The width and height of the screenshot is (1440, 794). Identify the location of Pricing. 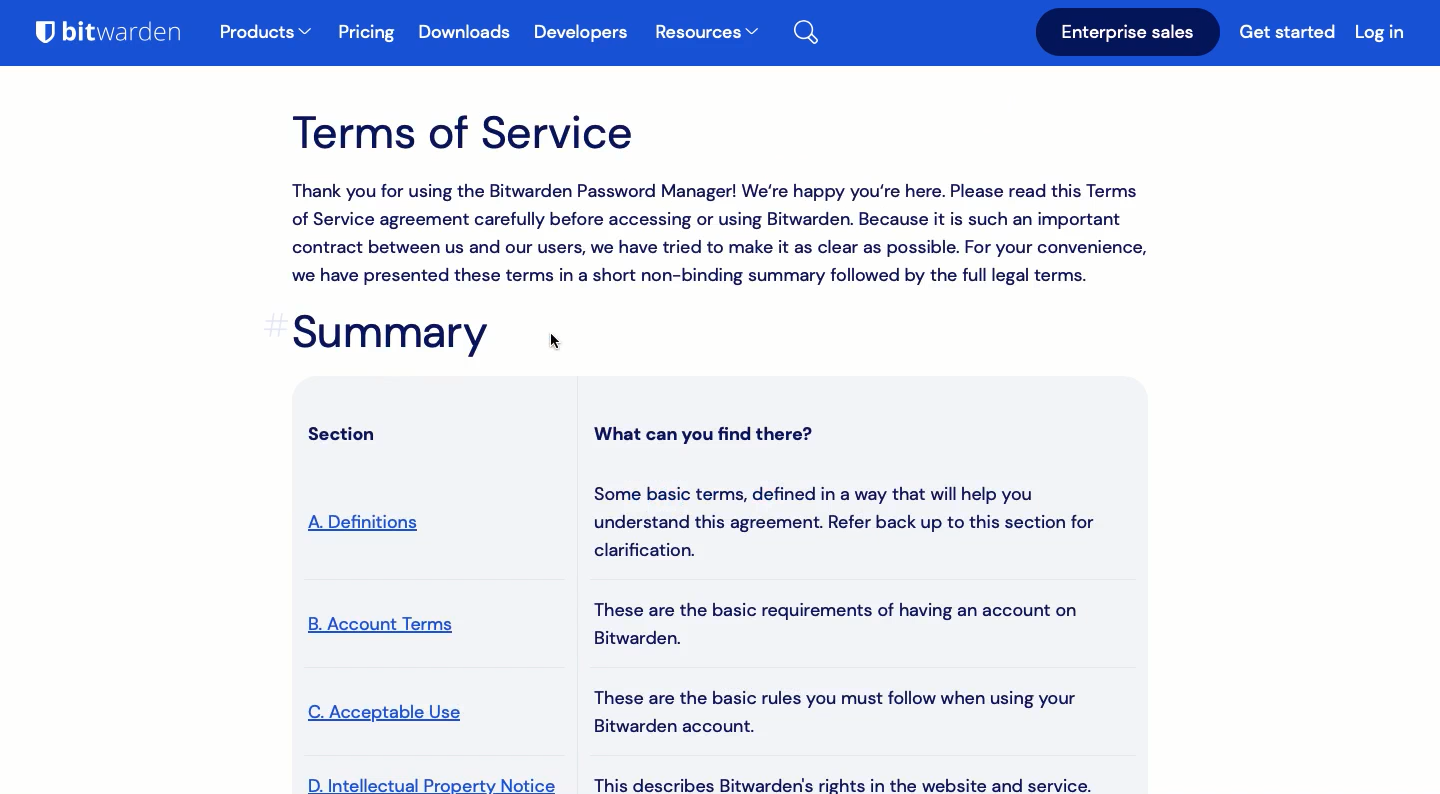
(368, 33).